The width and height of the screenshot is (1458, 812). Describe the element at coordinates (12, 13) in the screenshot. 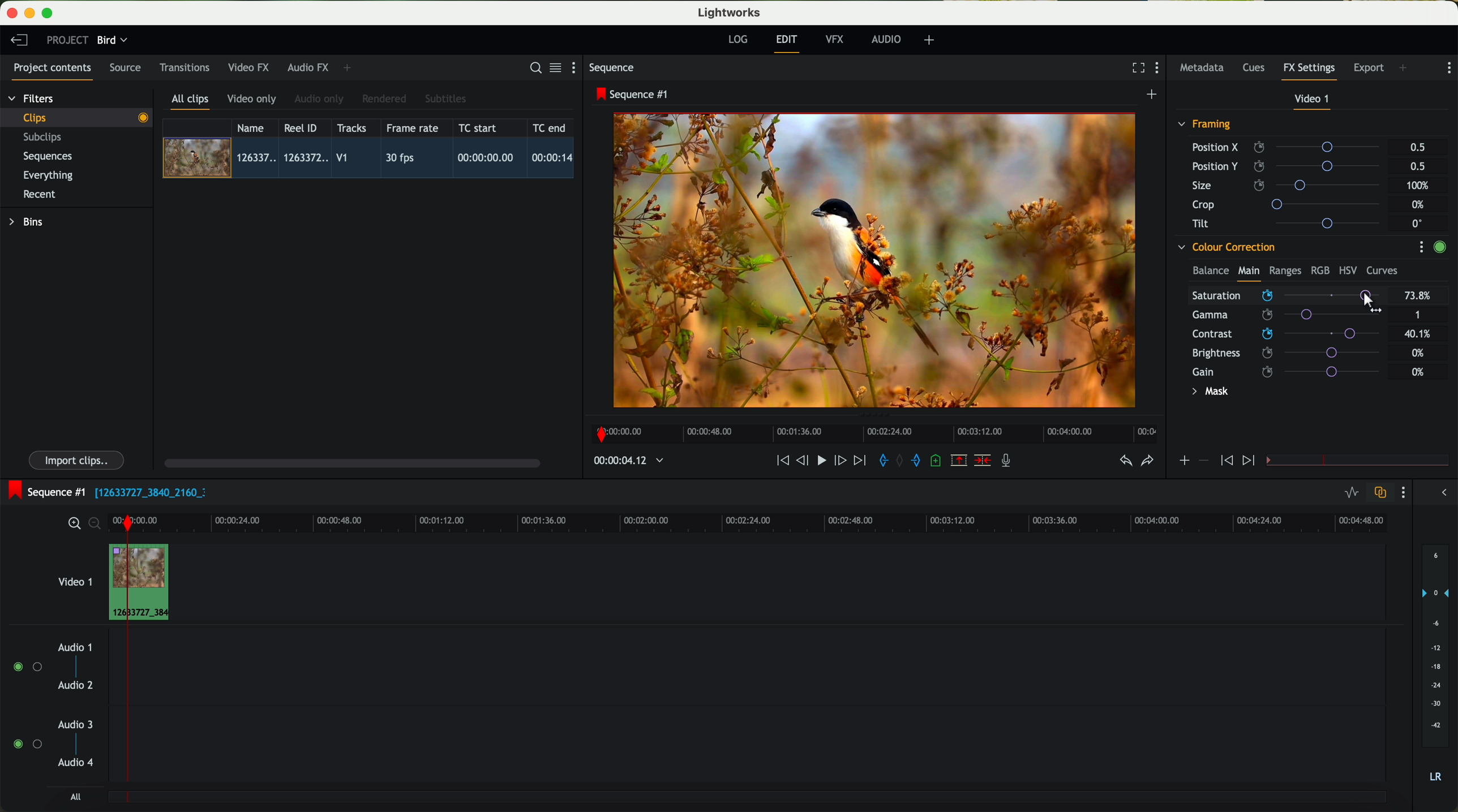

I see `close program` at that location.